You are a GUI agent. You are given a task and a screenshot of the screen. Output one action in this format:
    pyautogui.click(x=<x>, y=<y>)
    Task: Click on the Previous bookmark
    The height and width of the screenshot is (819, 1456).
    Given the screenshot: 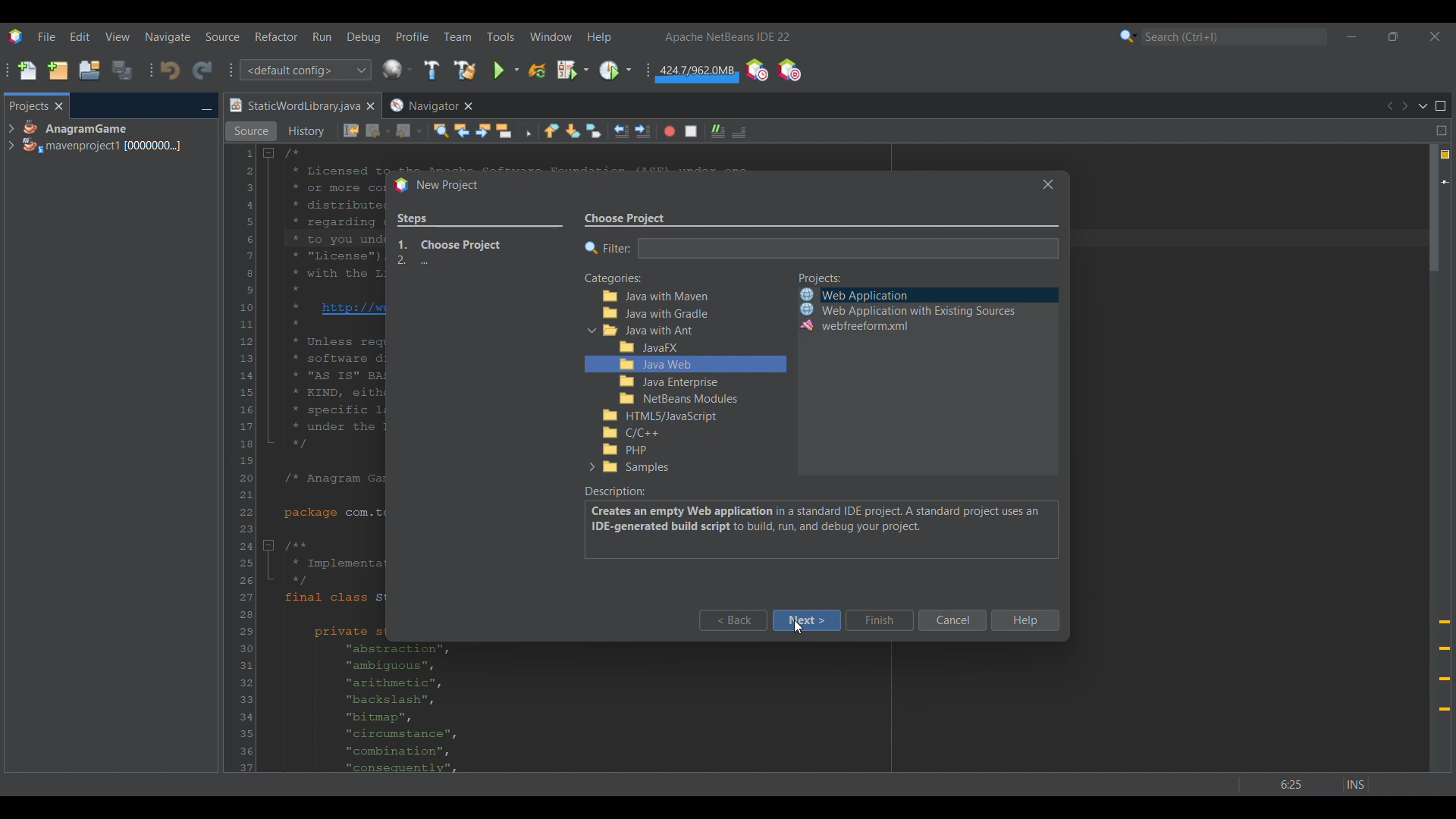 What is the action you would take?
    pyautogui.click(x=551, y=130)
    